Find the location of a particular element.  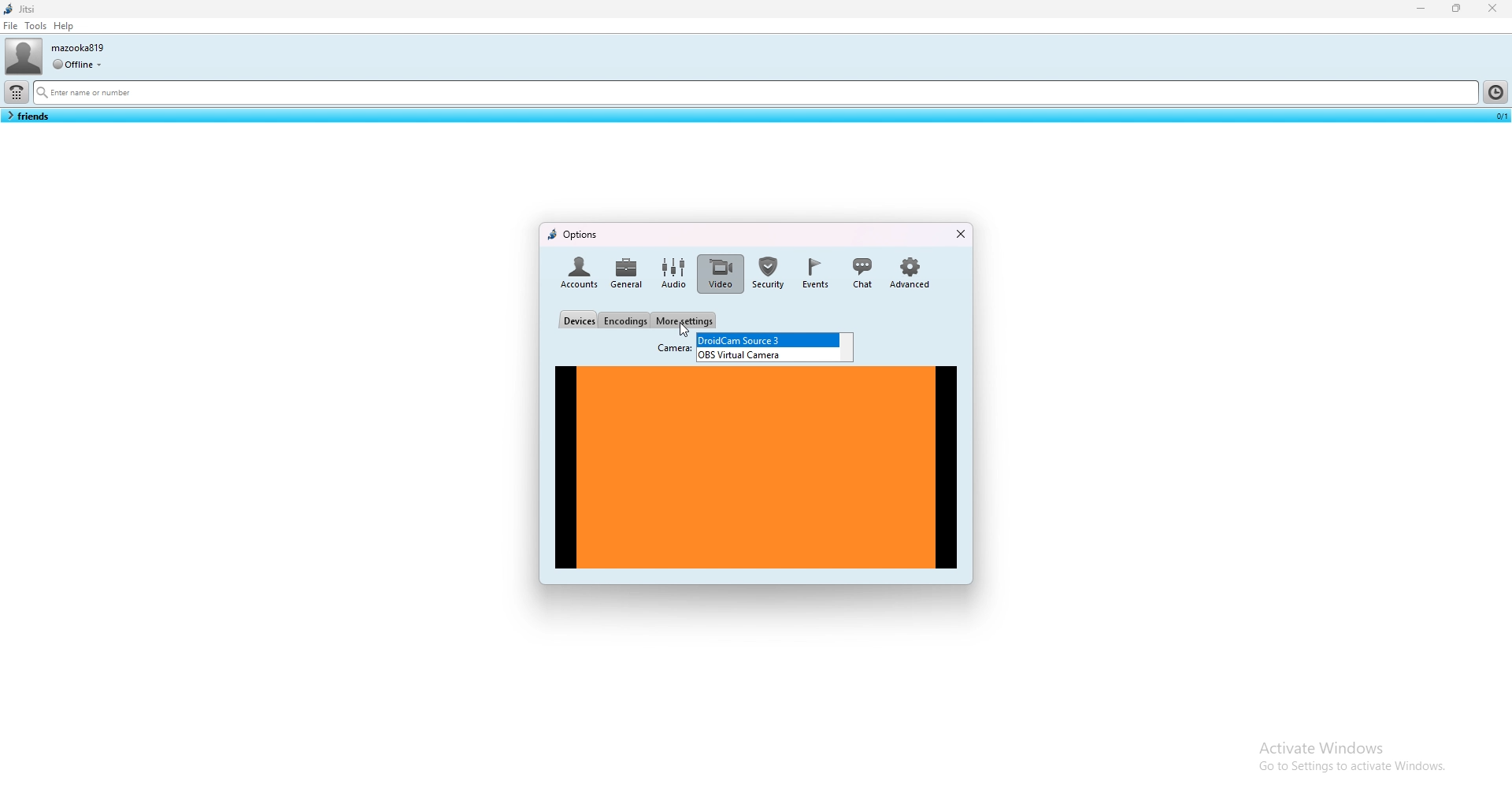

contact list is located at coordinates (28, 116).